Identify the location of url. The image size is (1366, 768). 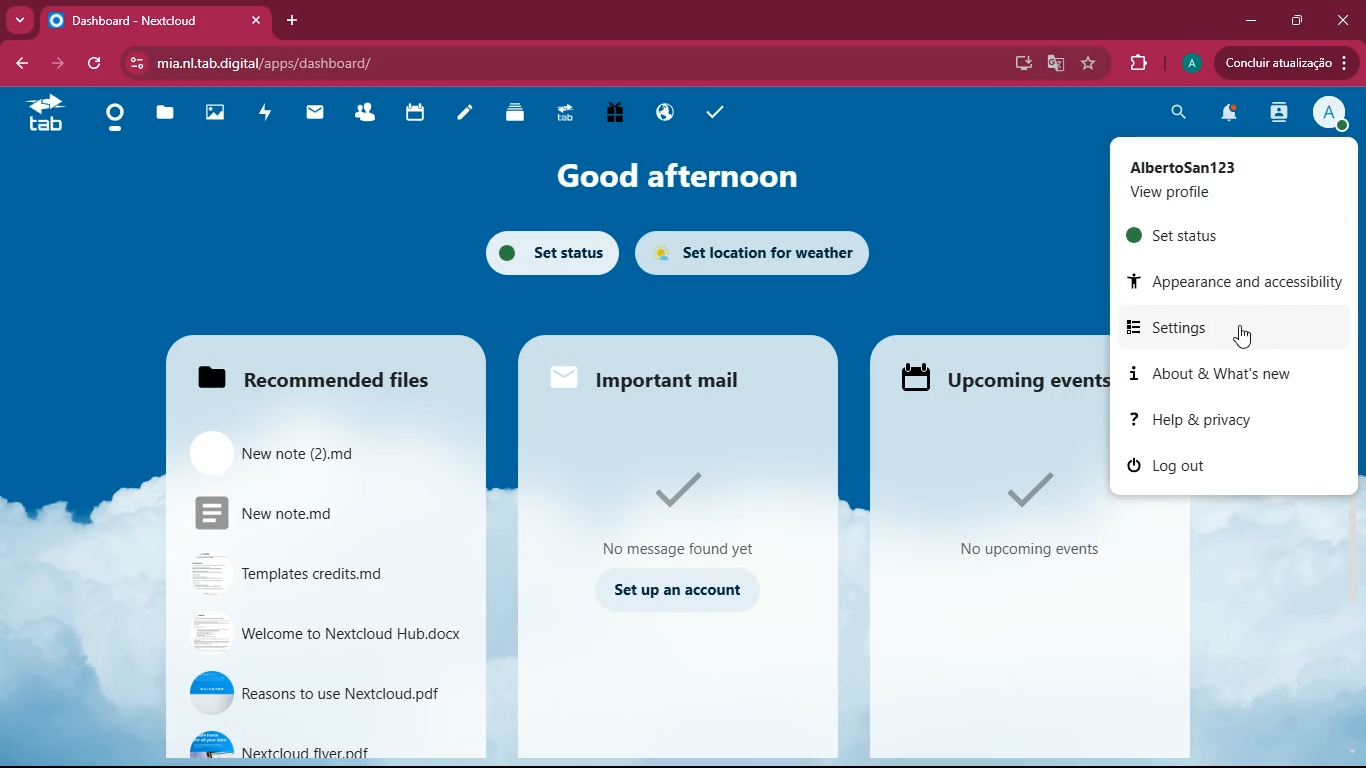
(398, 64).